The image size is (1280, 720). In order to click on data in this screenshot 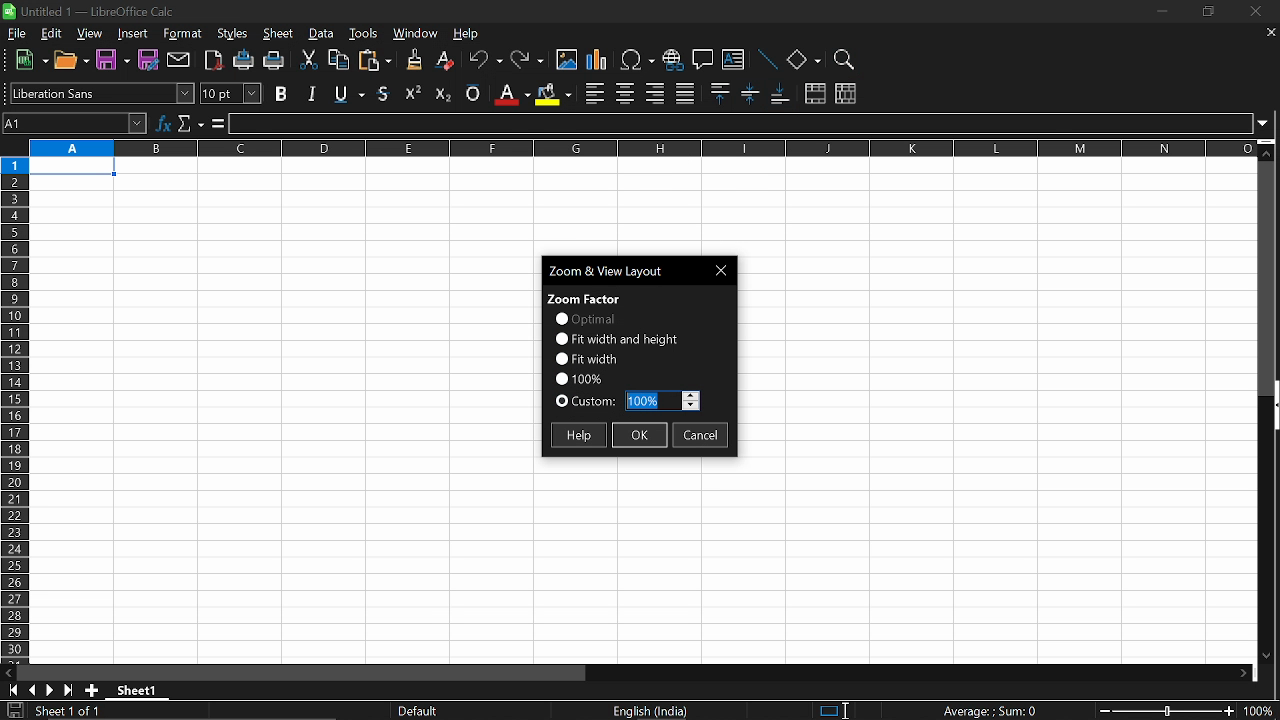, I will do `click(322, 34)`.